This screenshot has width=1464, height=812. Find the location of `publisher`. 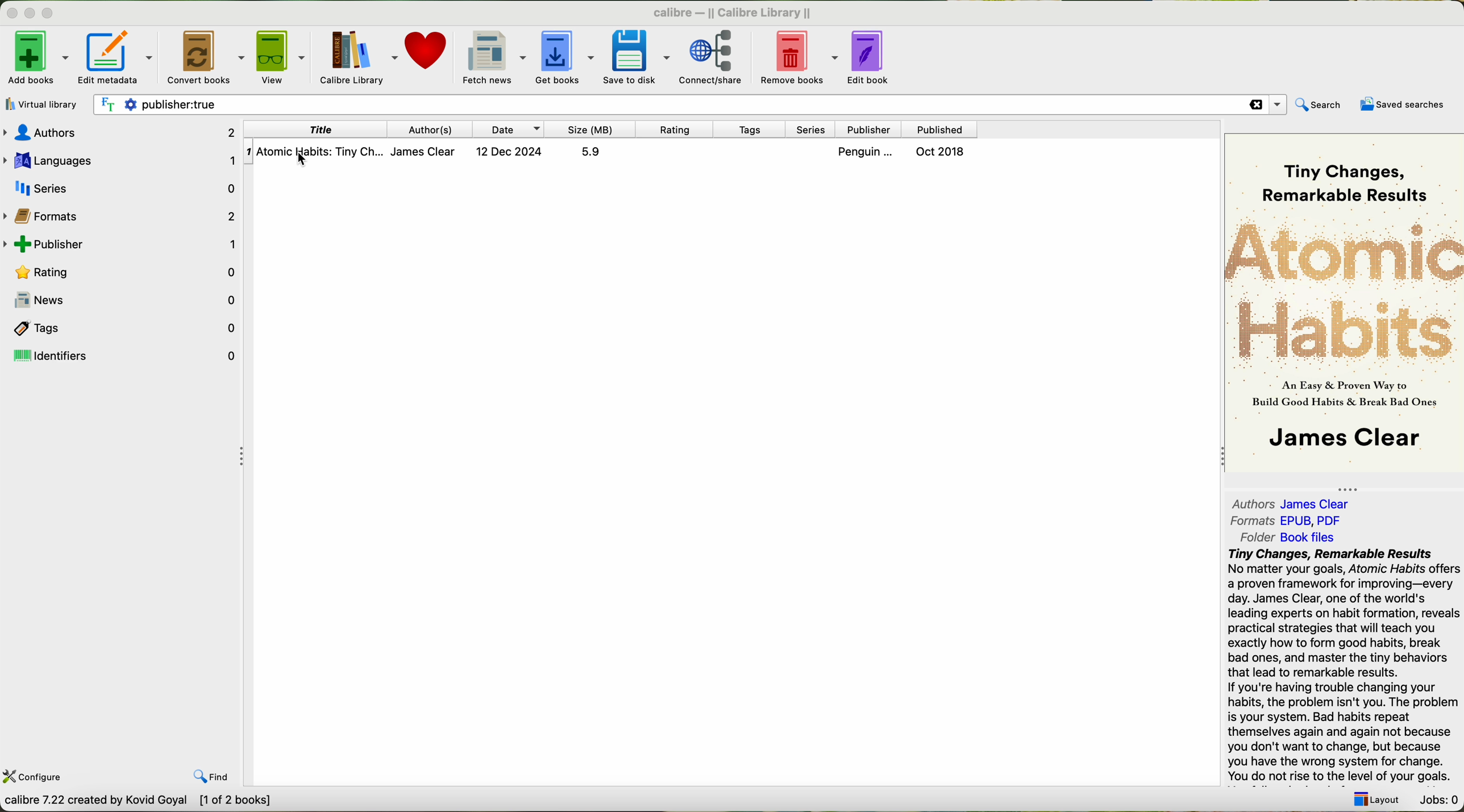

publisher is located at coordinates (867, 130).